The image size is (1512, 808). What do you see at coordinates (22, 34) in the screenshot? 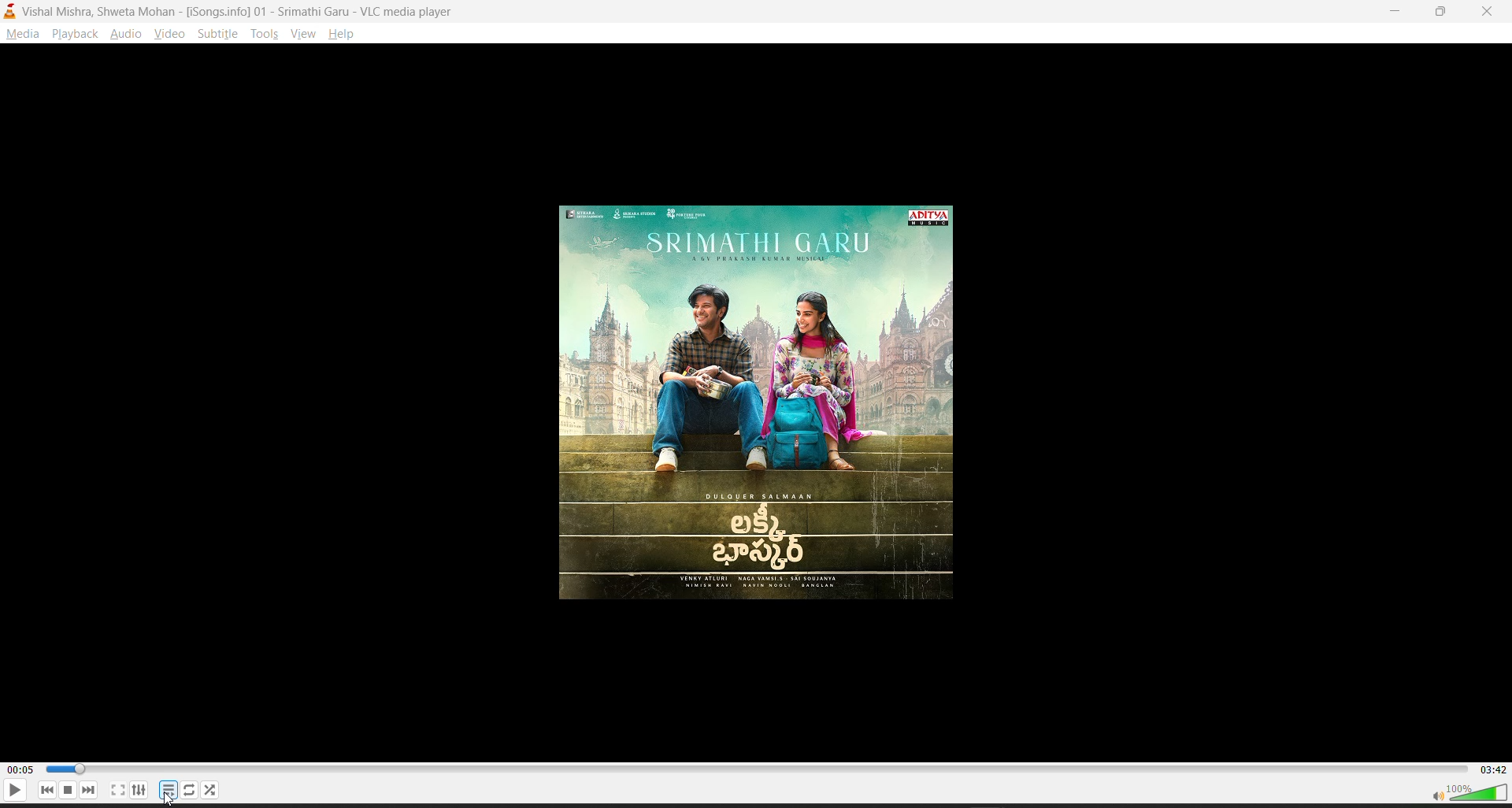
I see `media` at bounding box center [22, 34].